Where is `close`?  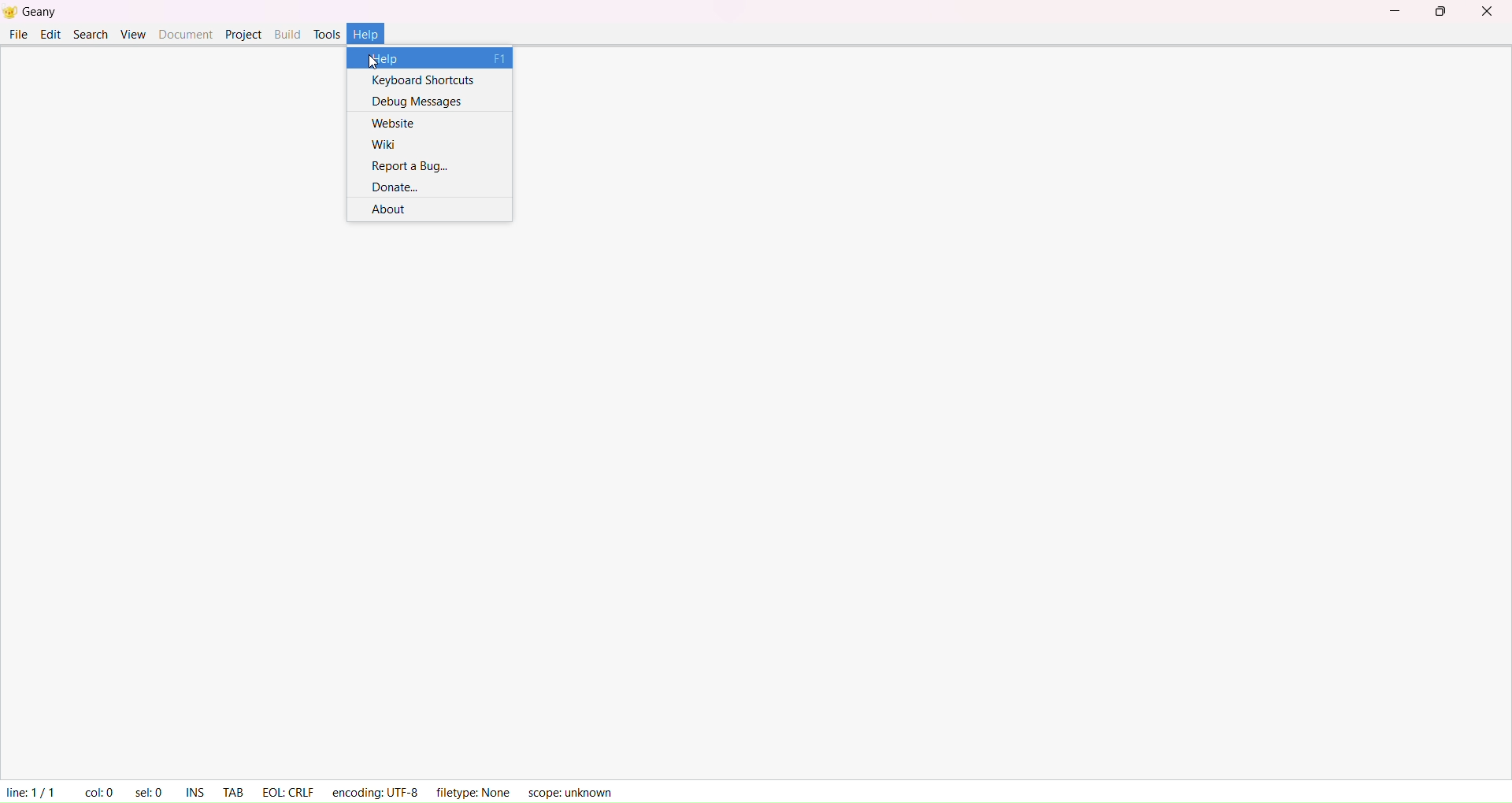
close is located at coordinates (1488, 13).